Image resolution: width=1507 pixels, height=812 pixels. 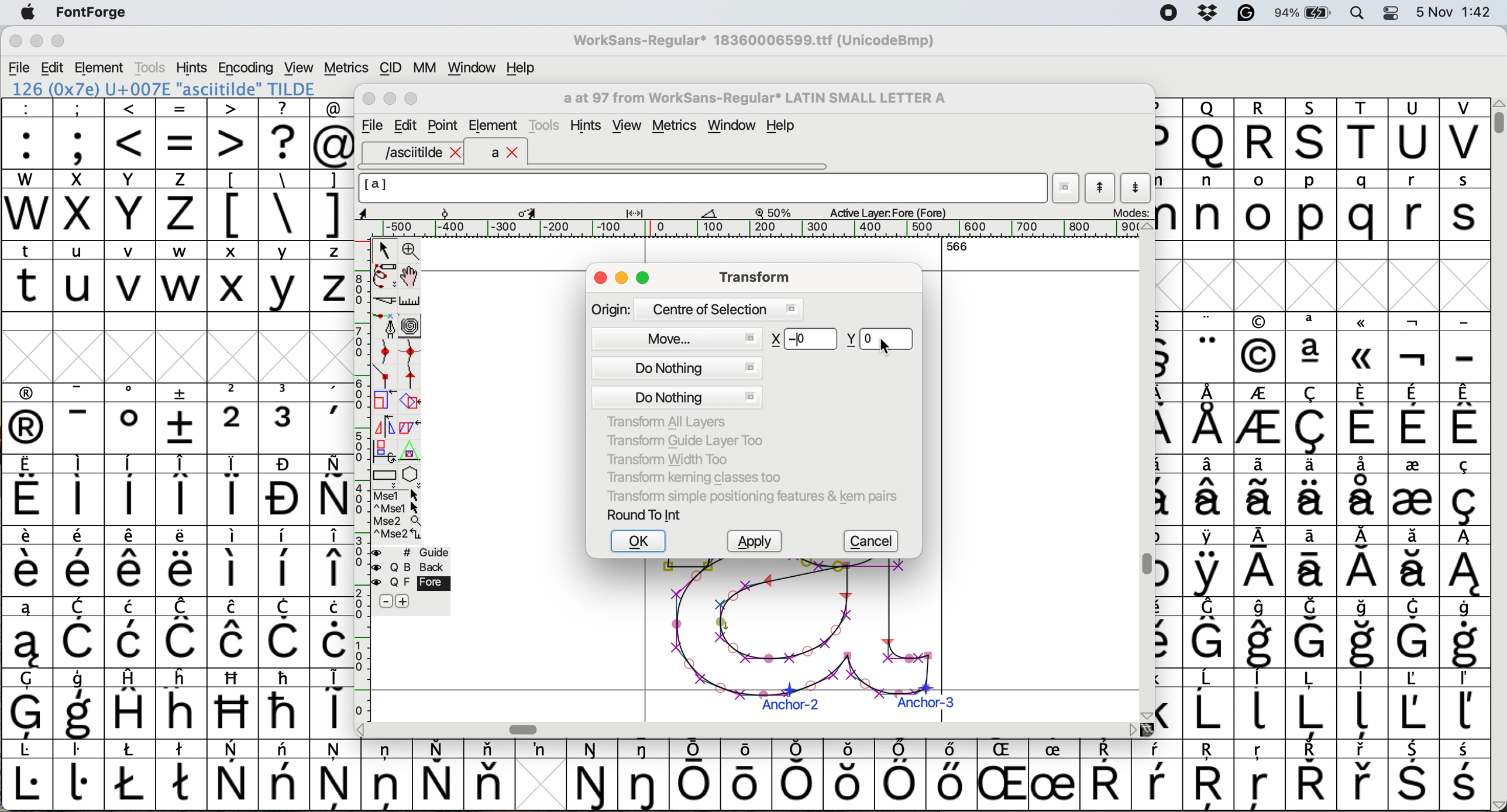 What do you see at coordinates (284, 133) in the screenshot?
I see `?` at bounding box center [284, 133].